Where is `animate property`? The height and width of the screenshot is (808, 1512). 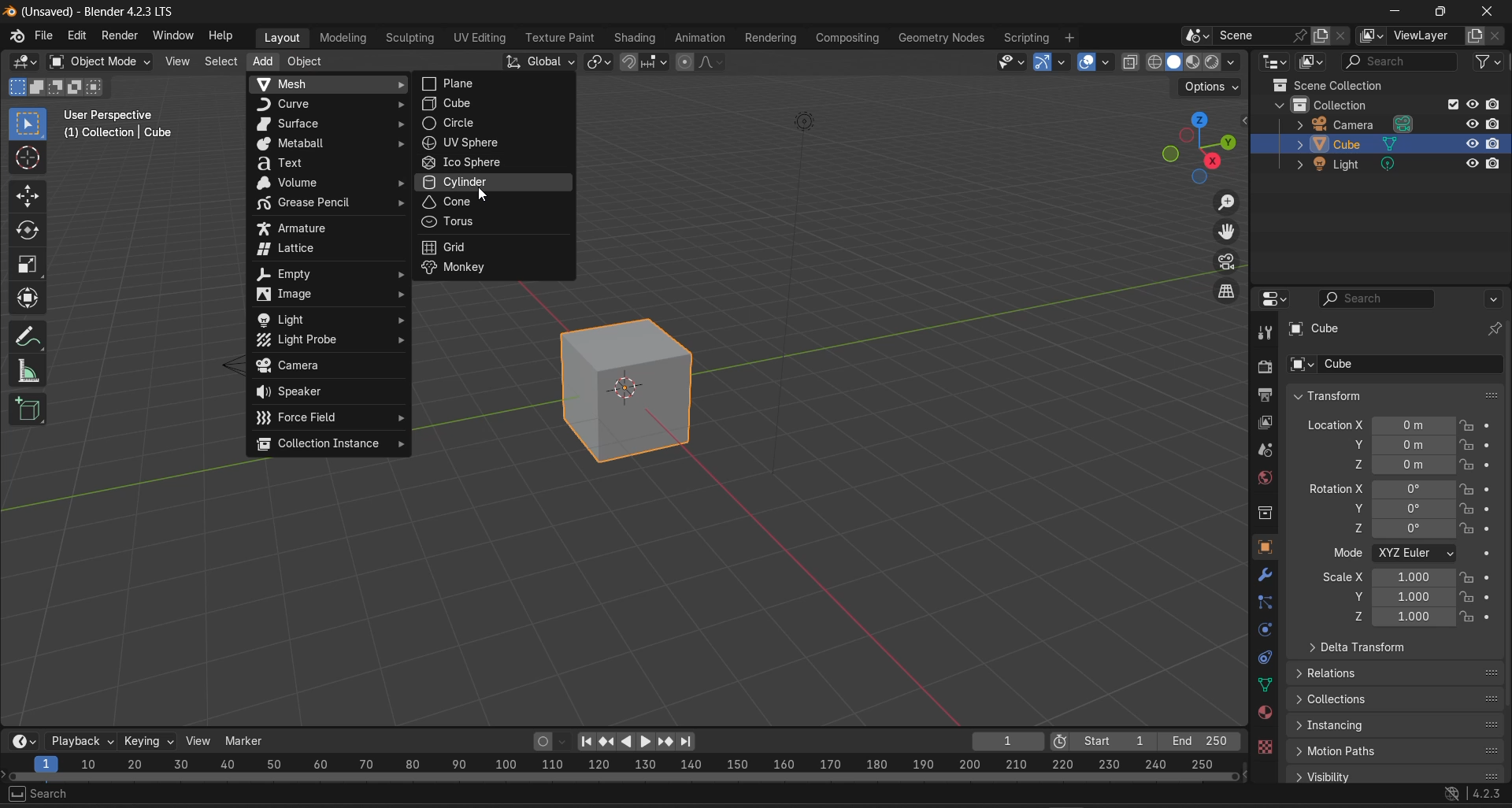
animate property is located at coordinates (1492, 528).